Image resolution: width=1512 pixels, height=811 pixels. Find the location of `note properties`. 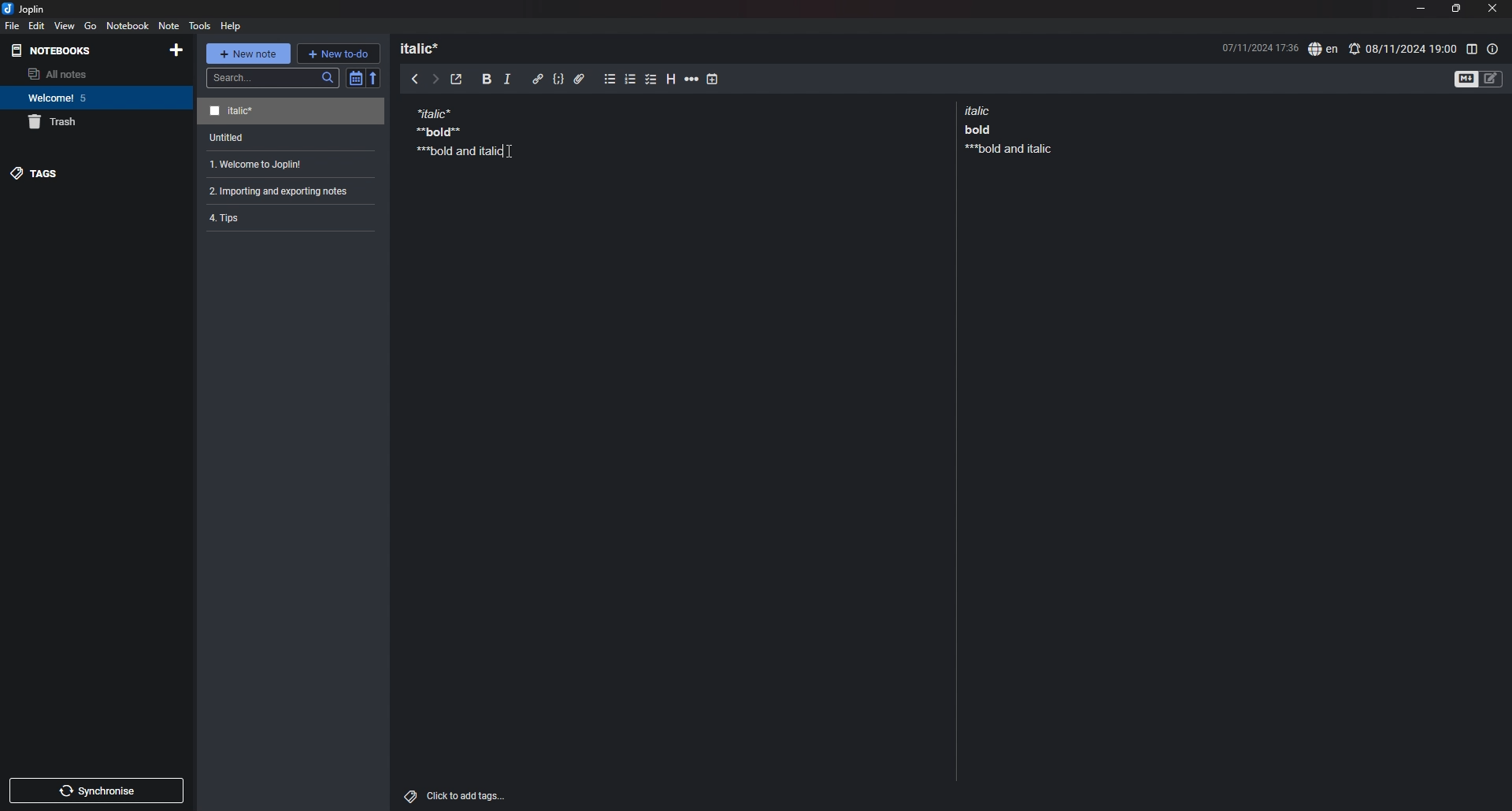

note properties is located at coordinates (1493, 49).